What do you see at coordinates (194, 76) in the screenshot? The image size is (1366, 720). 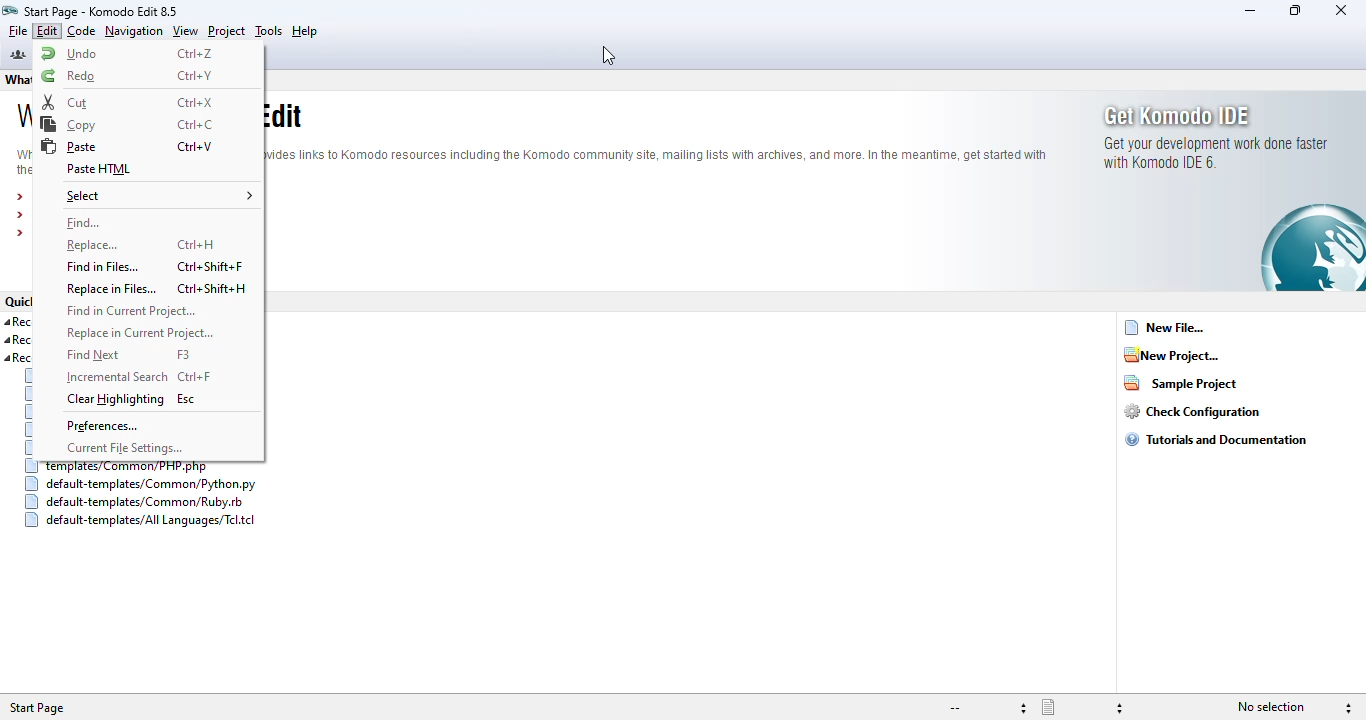 I see `shortcut for redo` at bounding box center [194, 76].